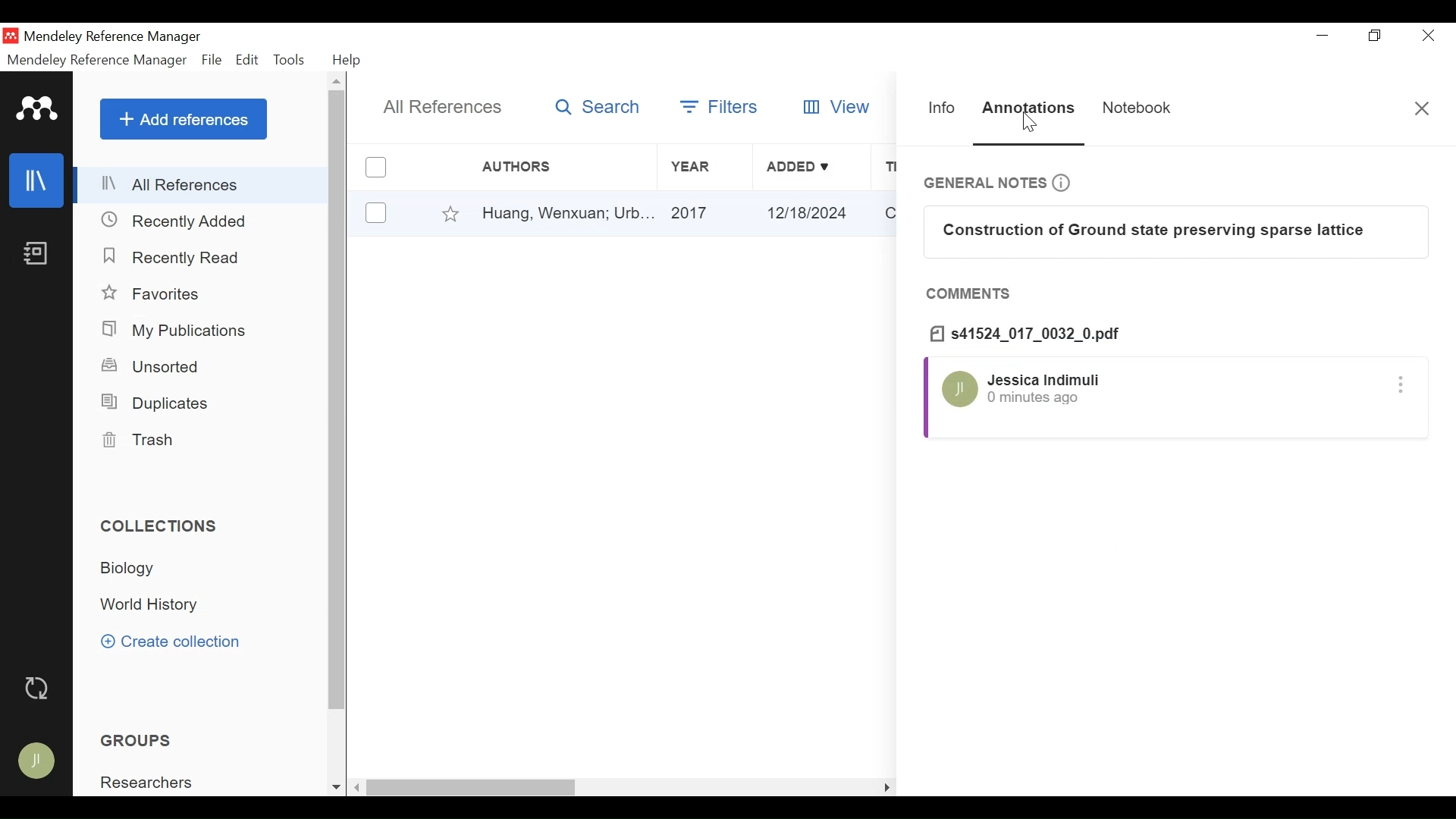  Describe the element at coordinates (943, 110) in the screenshot. I see `Information` at that location.